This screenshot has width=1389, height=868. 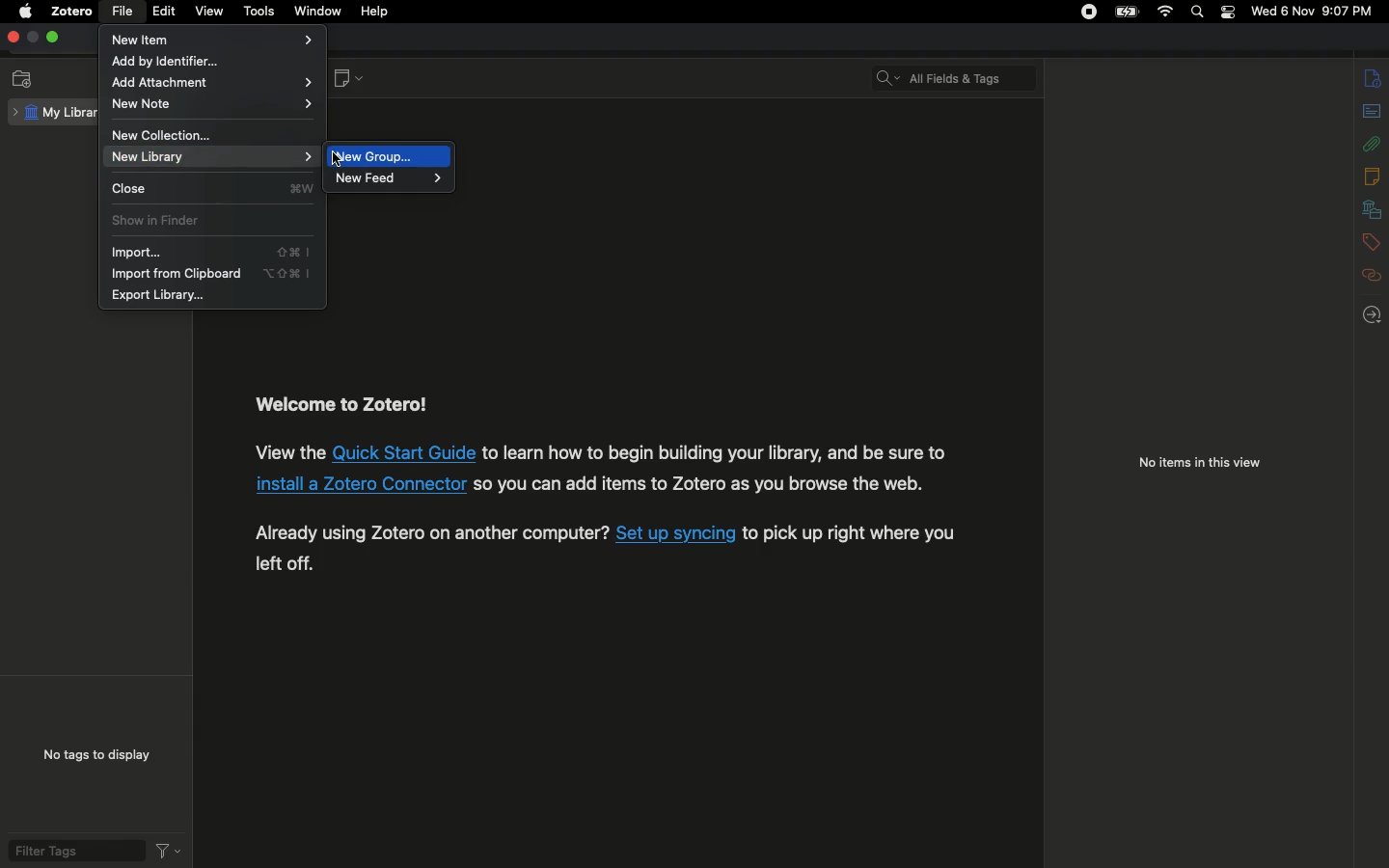 What do you see at coordinates (1373, 275) in the screenshot?
I see `Related` at bounding box center [1373, 275].